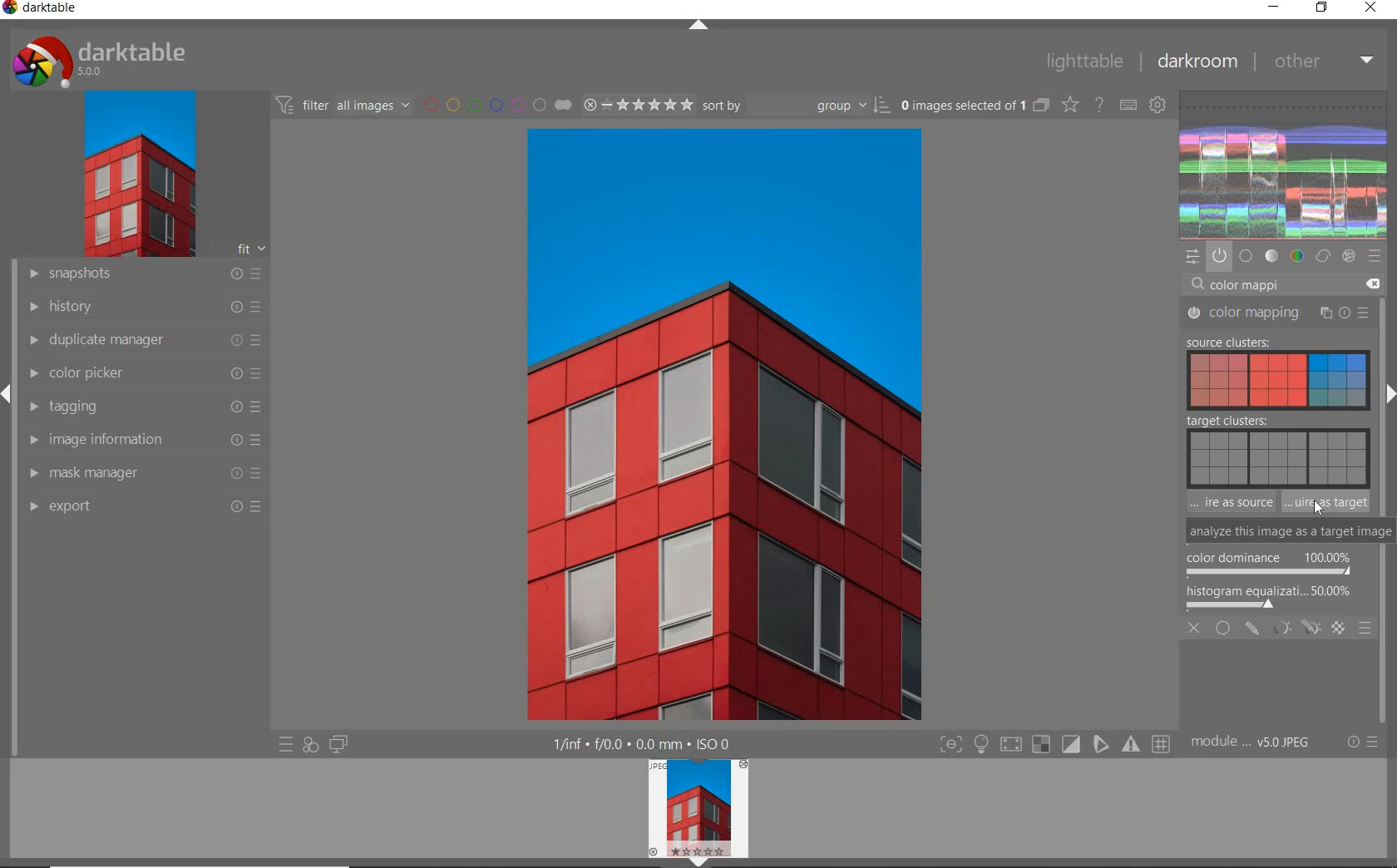 This screenshot has width=1397, height=868. Describe the element at coordinates (960, 104) in the screenshot. I see `selected images` at that location.